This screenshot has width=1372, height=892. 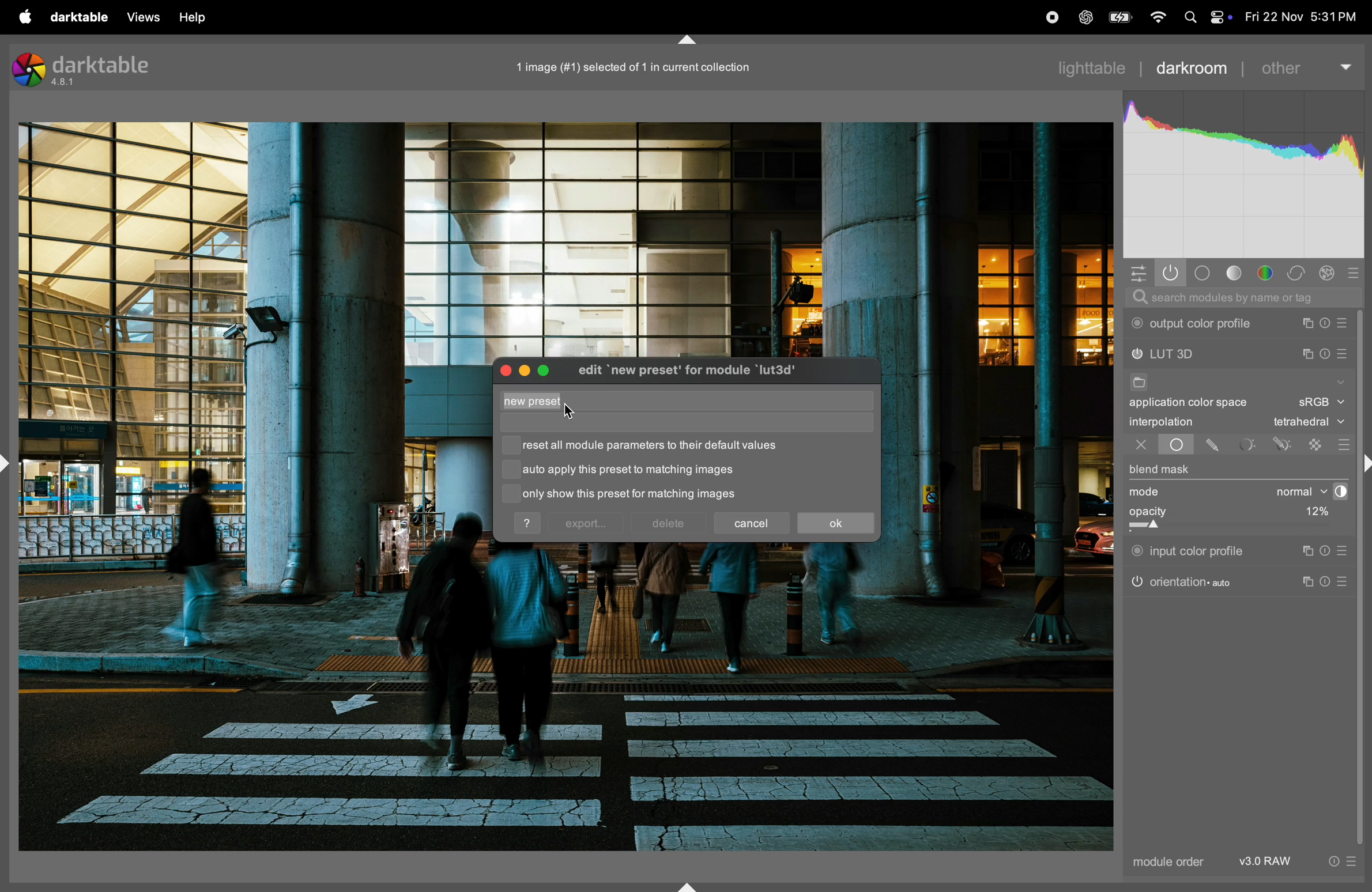 I want to click on views, so click(x=140, y=17).